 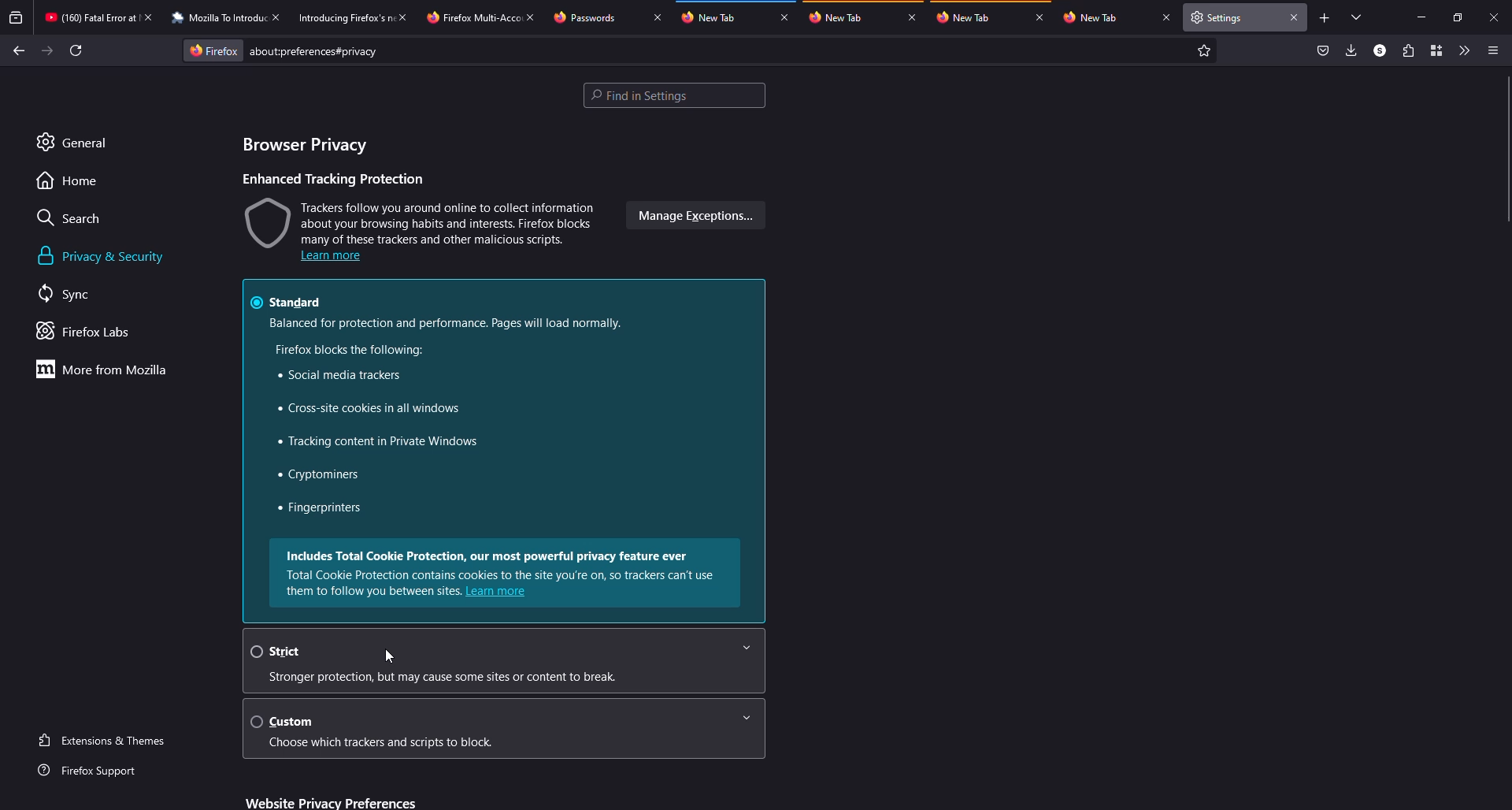 I want to click on custom, so click(x=294, y=722).